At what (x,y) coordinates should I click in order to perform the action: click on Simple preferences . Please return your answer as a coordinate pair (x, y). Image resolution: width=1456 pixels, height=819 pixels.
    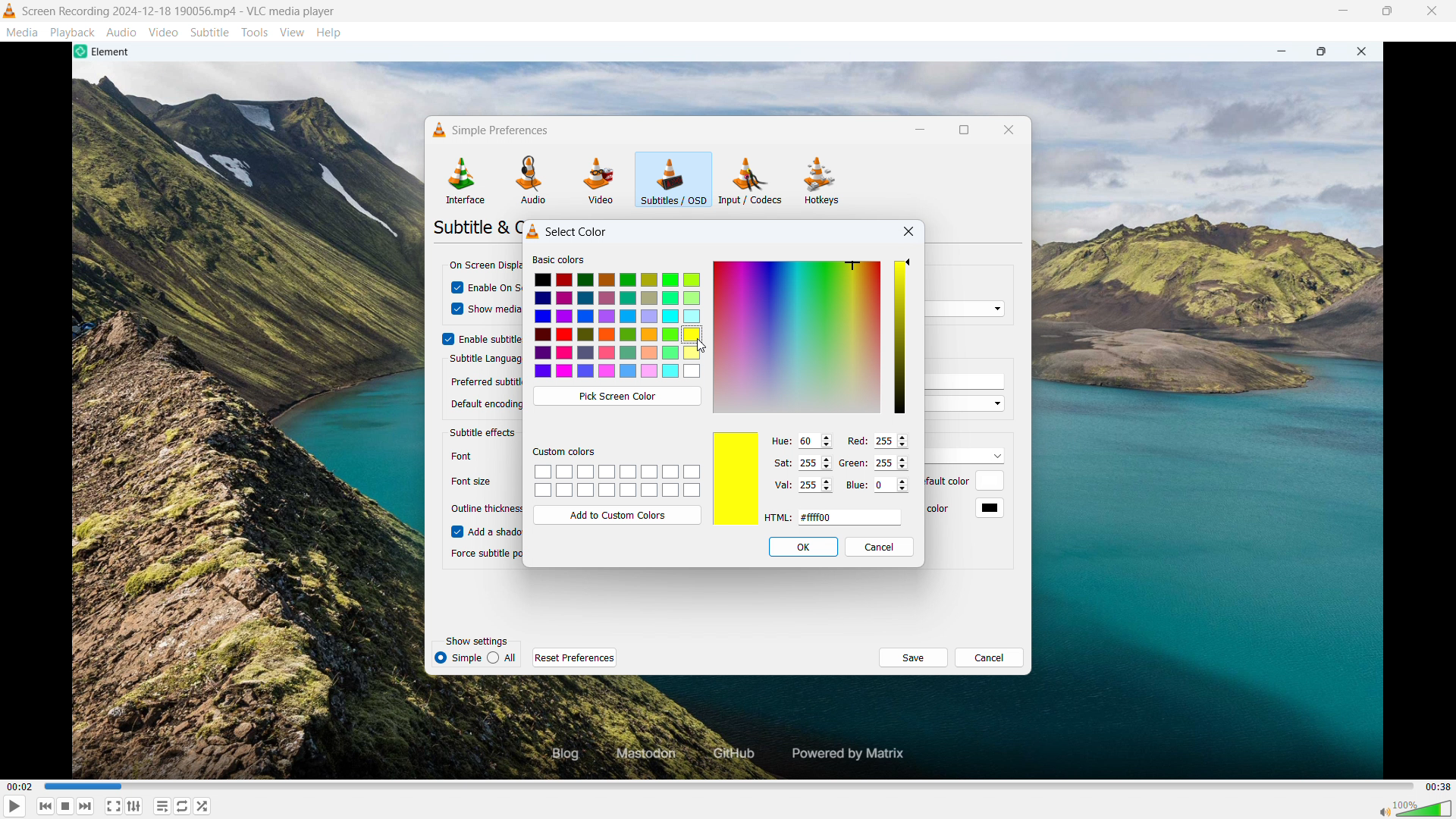
    Looking at the image, I should click on (492, 130).